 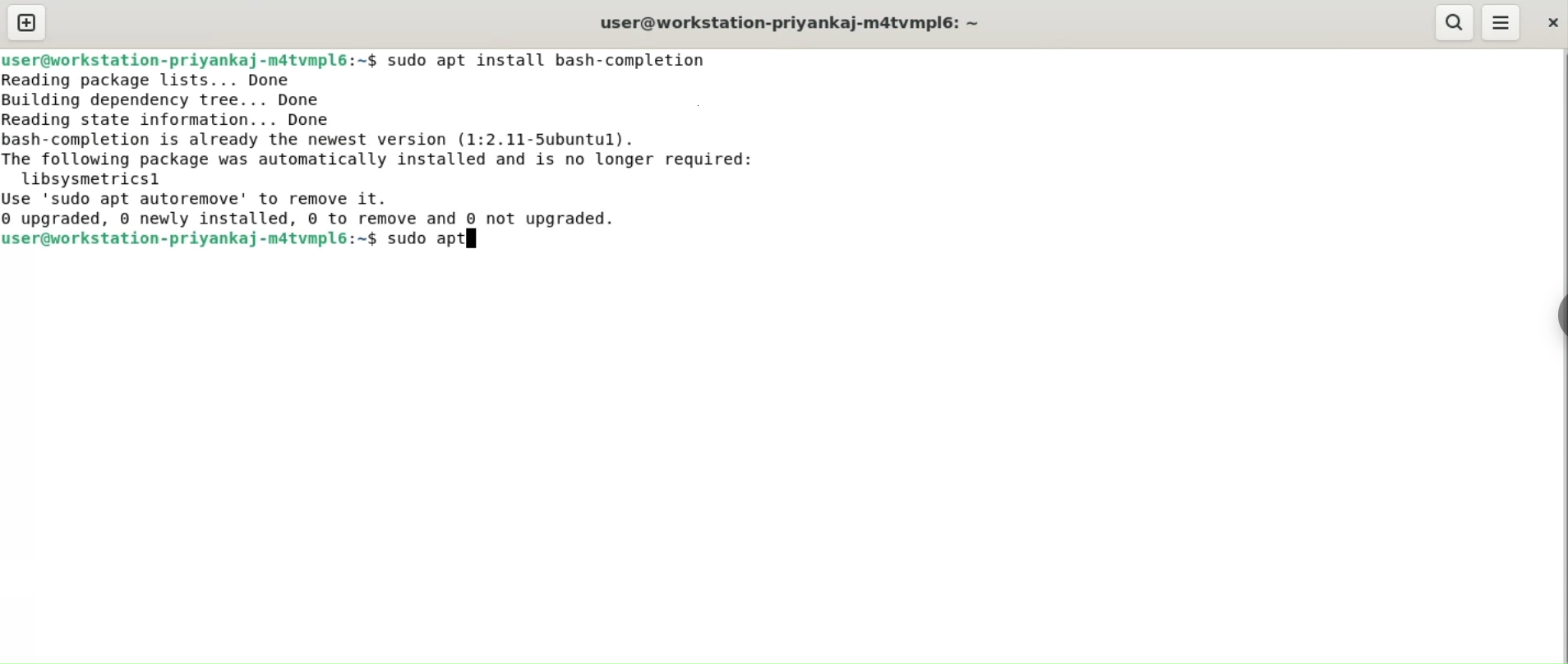 What do you see at coordinates (29, 23) in the screenshot?
I see `new tab` at bounding box center [29, 23].